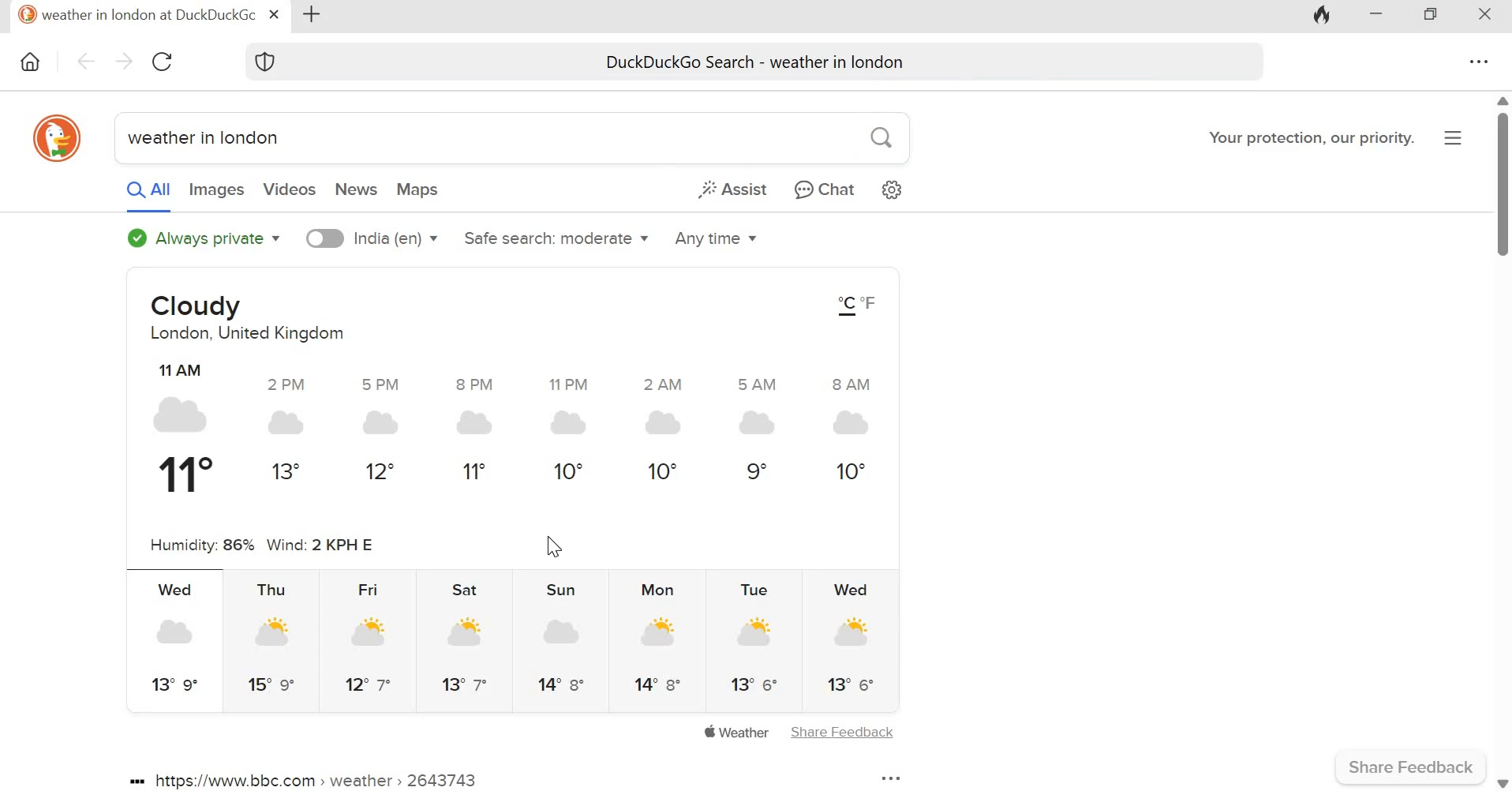 The height and width of the screenshot is (791, 1512). Describe the element at coordinates (657, 632) in the screenshot. I see `Indicates partly sunny` at that location.